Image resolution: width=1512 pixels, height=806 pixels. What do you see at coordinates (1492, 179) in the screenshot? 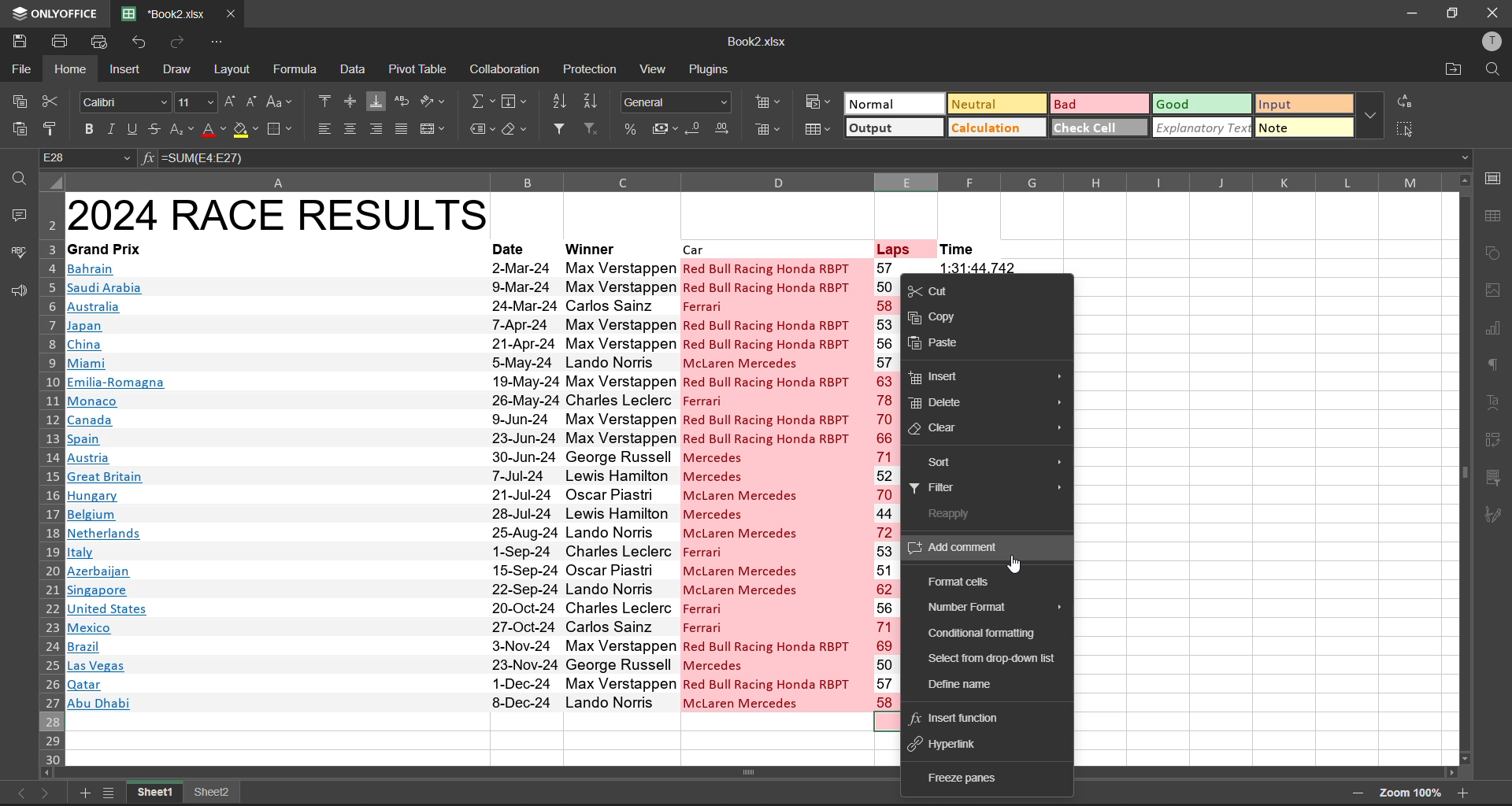
I see `call settings` at bounding box center [1492, 179].